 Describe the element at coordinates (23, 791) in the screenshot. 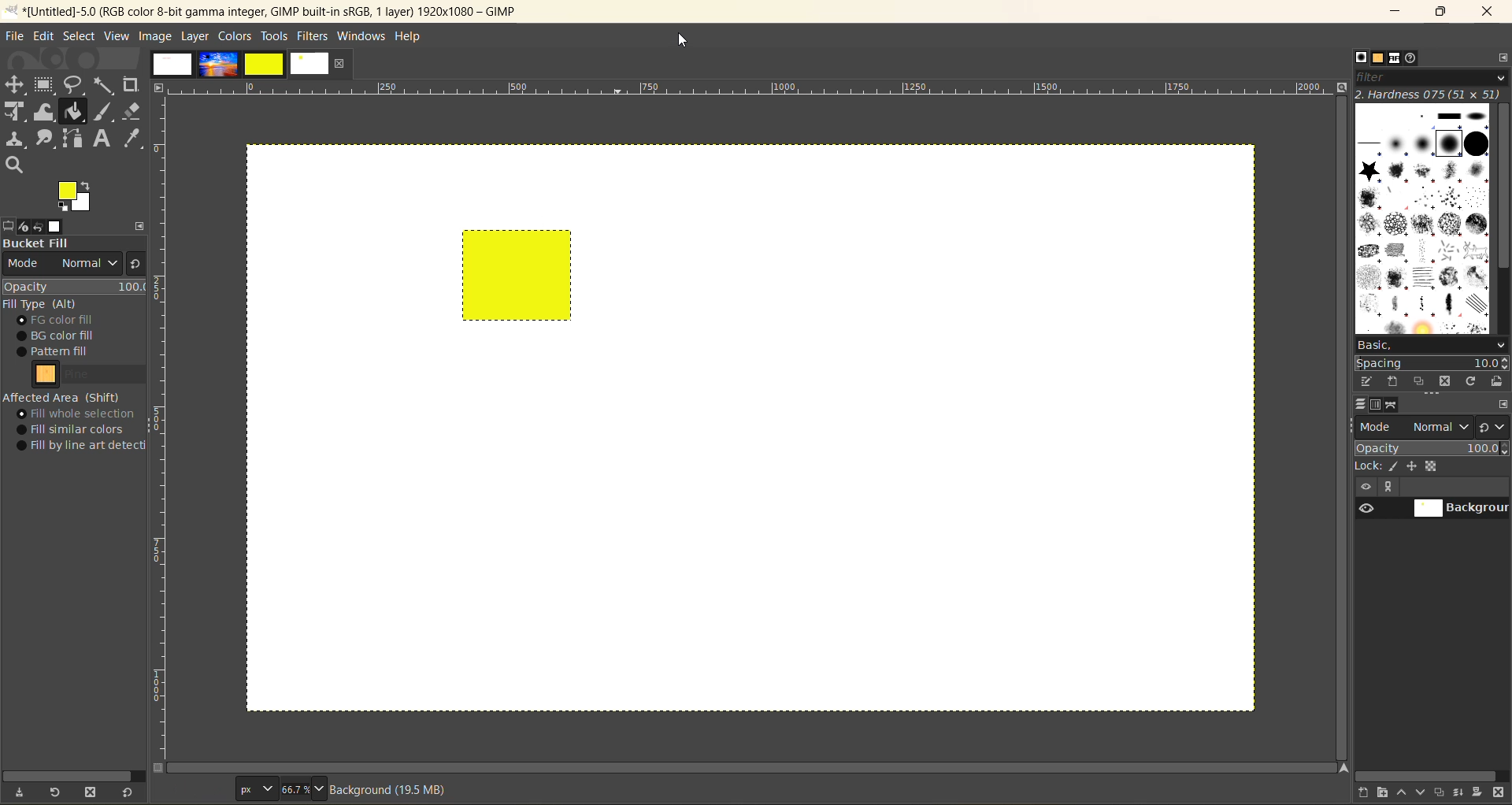

I see `save tool preset` at that location.